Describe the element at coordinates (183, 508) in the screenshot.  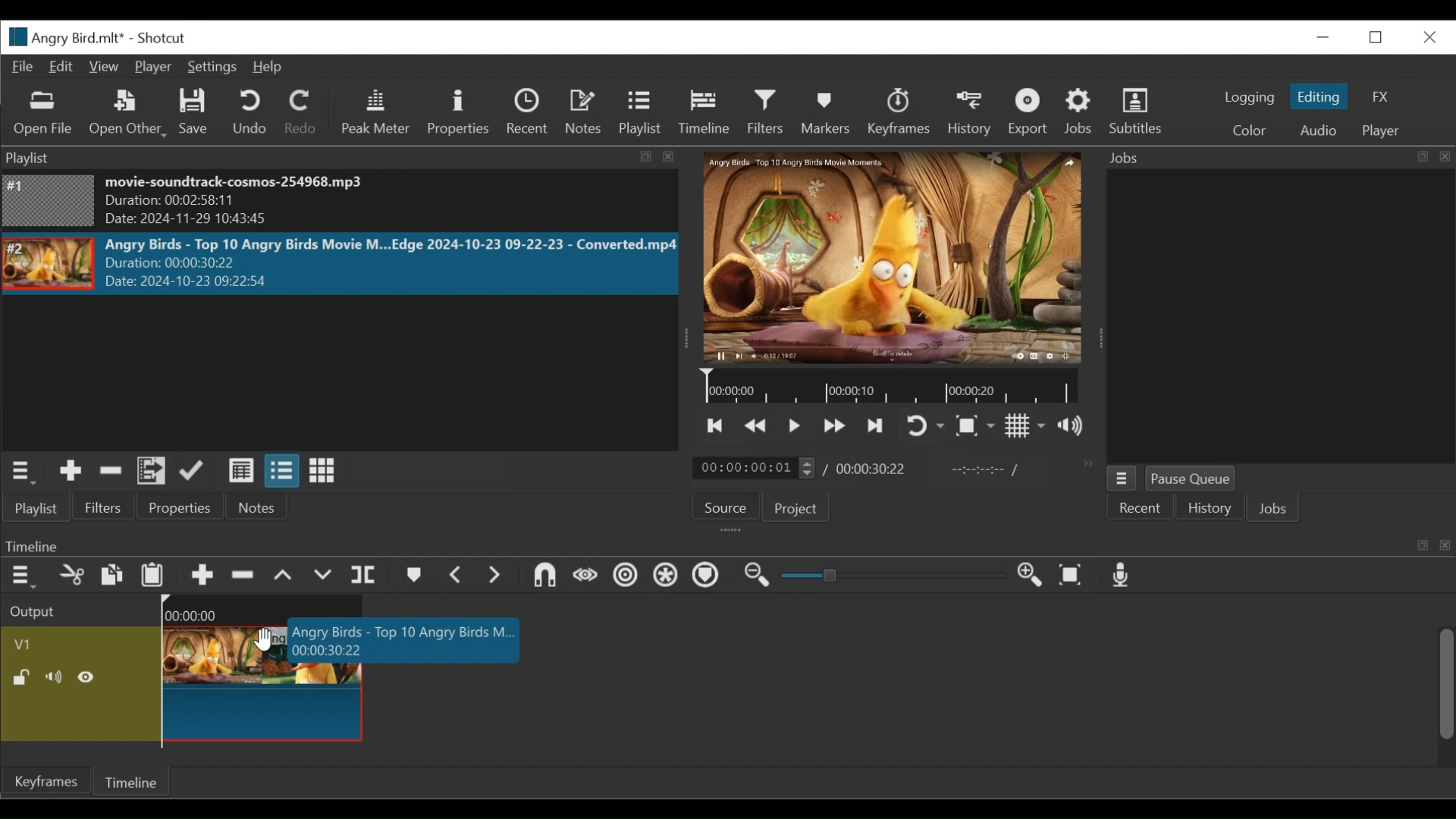
I see `Properties` at that location.